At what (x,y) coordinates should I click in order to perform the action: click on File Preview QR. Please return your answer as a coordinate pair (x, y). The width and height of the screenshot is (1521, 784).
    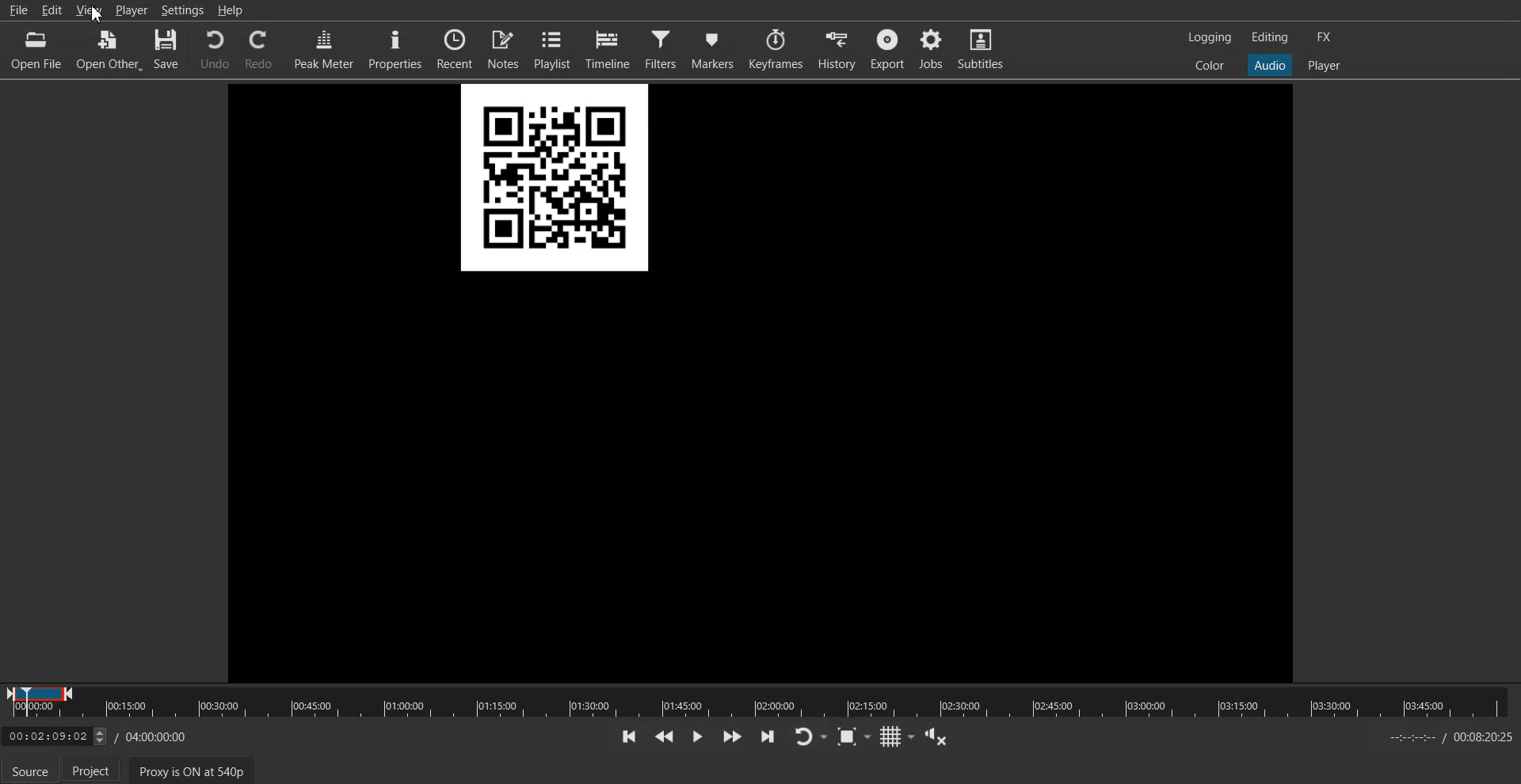
    Looking at the image, I should click on (555, 180).